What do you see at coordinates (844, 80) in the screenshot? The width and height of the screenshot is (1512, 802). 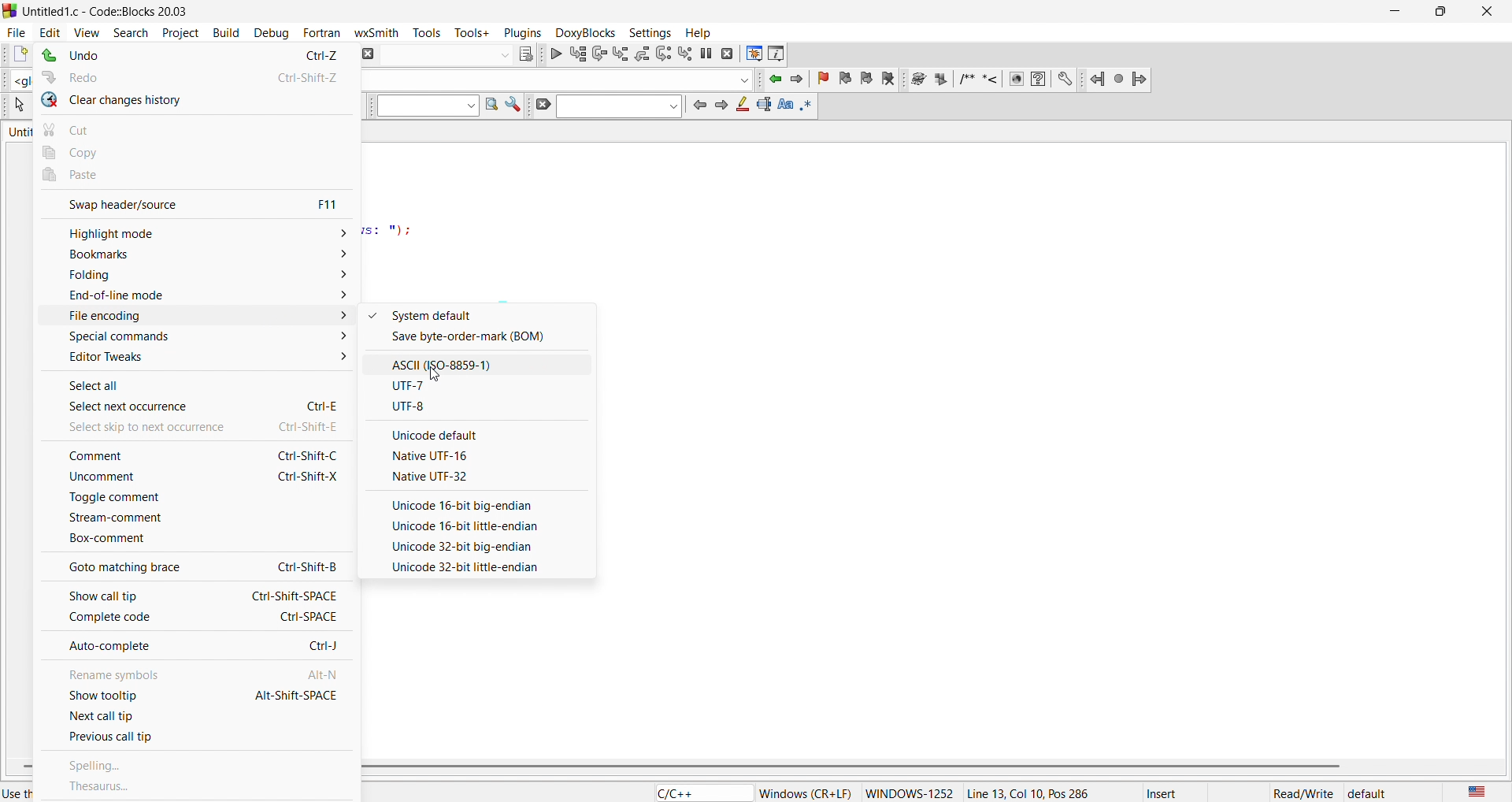 I see `previous bookmark` at bounding box center [844, 80].